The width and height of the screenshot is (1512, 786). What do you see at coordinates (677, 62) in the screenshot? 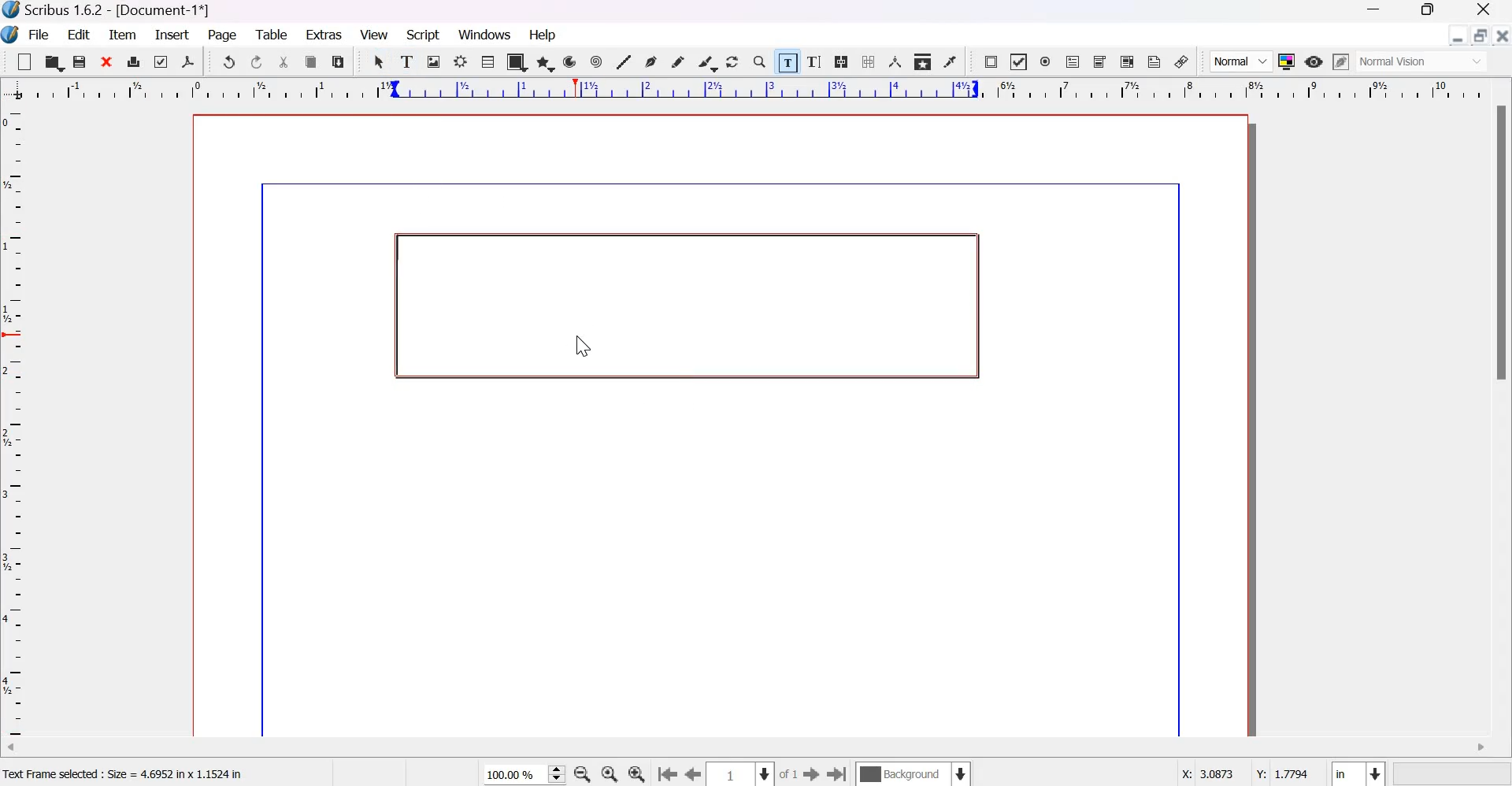
I see `Freehand line` at bounding box center [677, 62].